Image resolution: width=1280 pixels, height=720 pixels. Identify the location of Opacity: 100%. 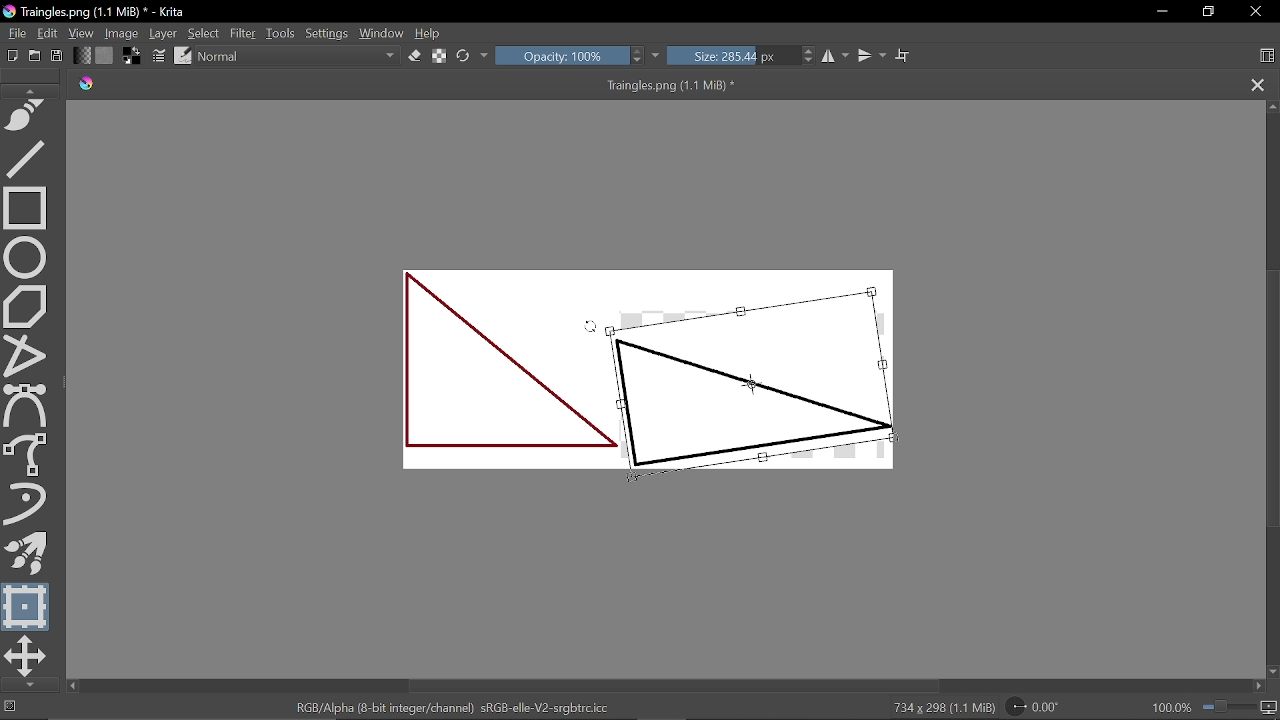
(570, 57).